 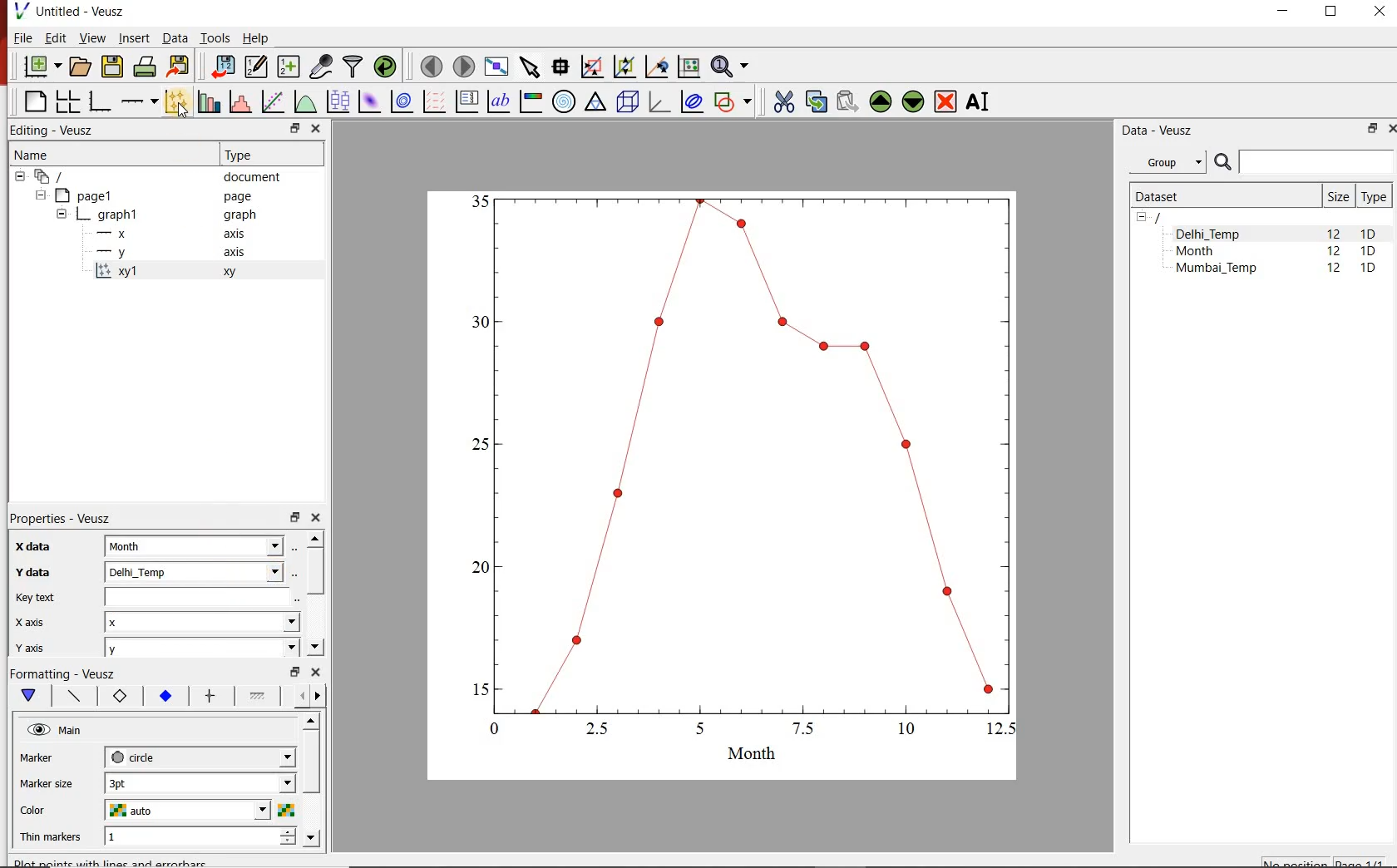 What do you see at coordinates (204, 596) in the screenshot?
I see `input field` at bounding box center [204, 596].